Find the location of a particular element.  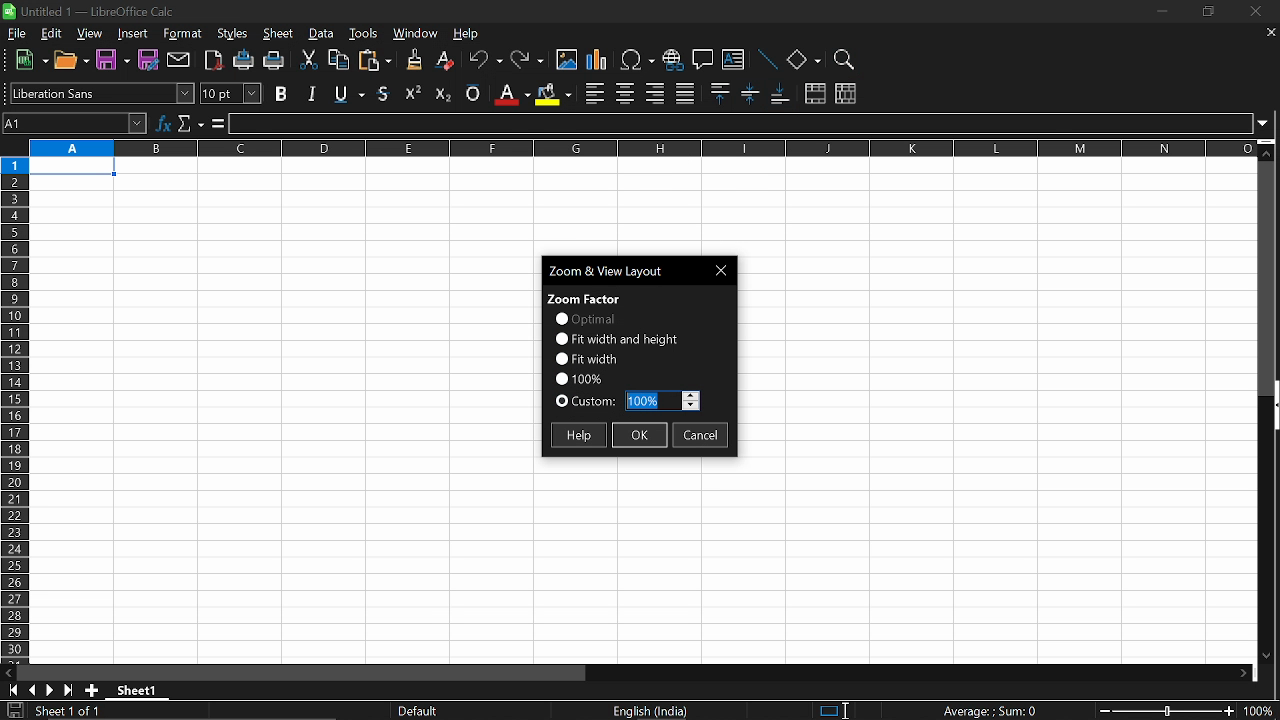

save is located at coordinates (14, 711).